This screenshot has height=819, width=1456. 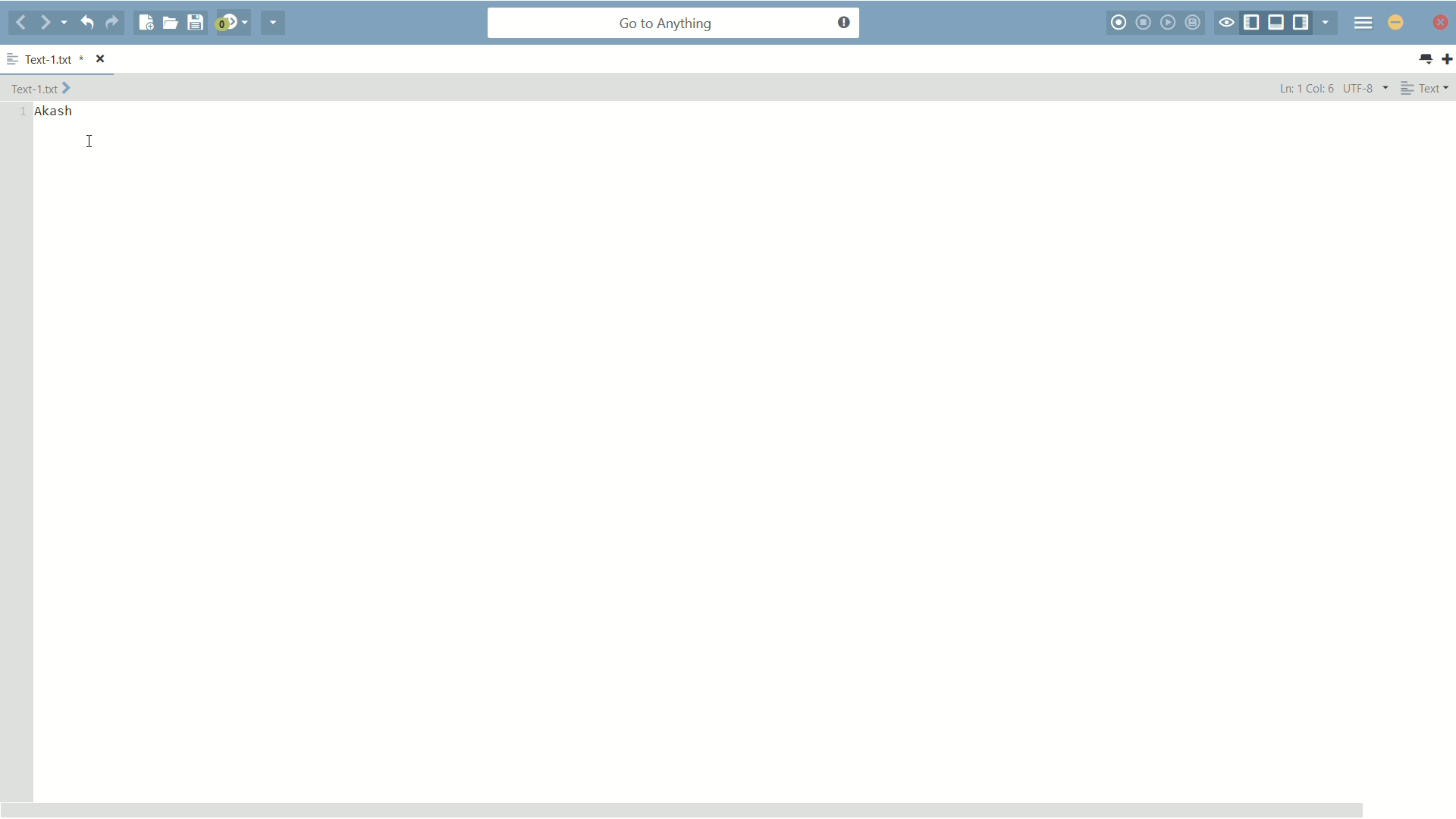 I want to click on new file, so click(x=145, y=23).